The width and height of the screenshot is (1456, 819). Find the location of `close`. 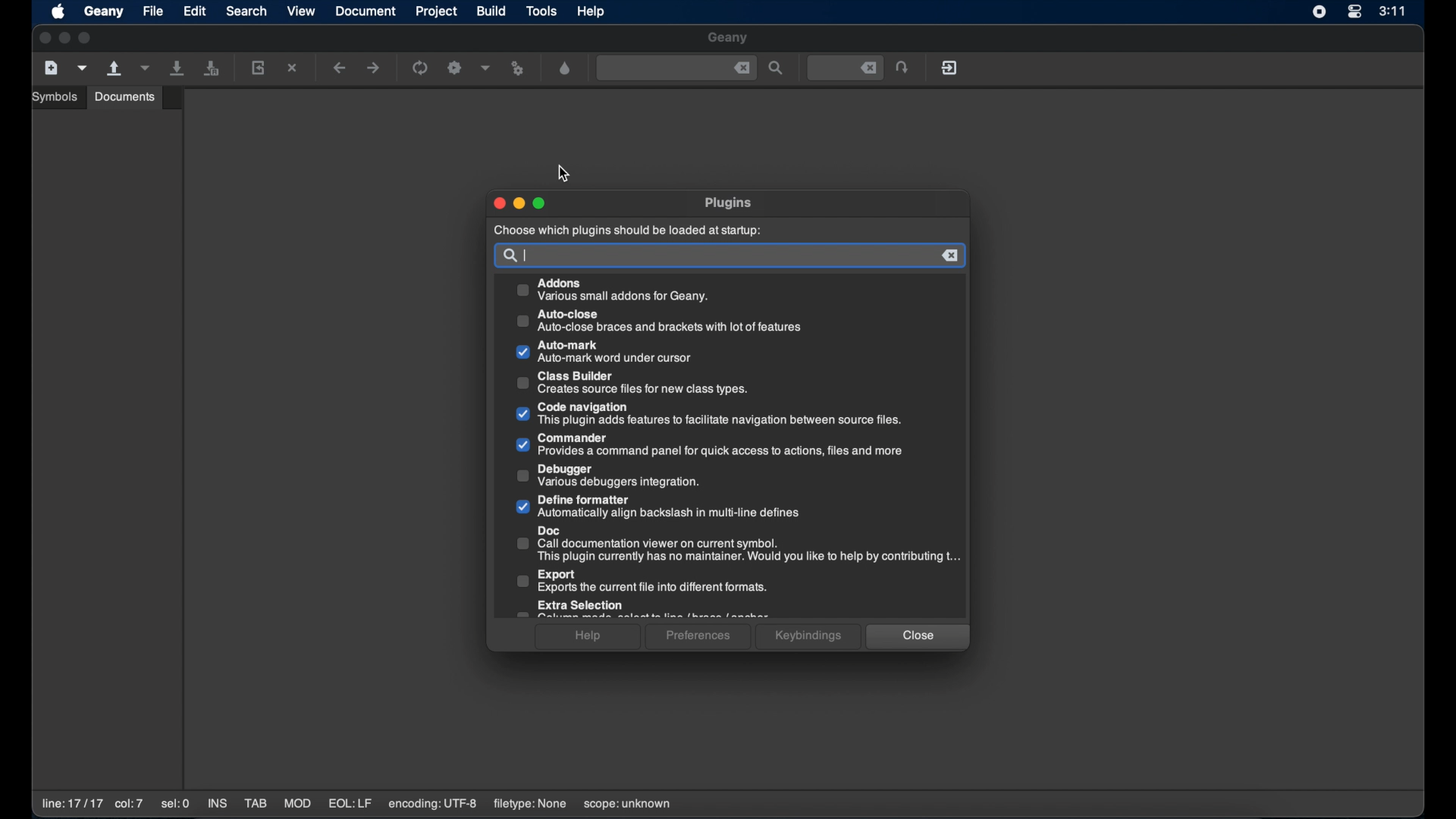

close is located at coordinates (43, 39).